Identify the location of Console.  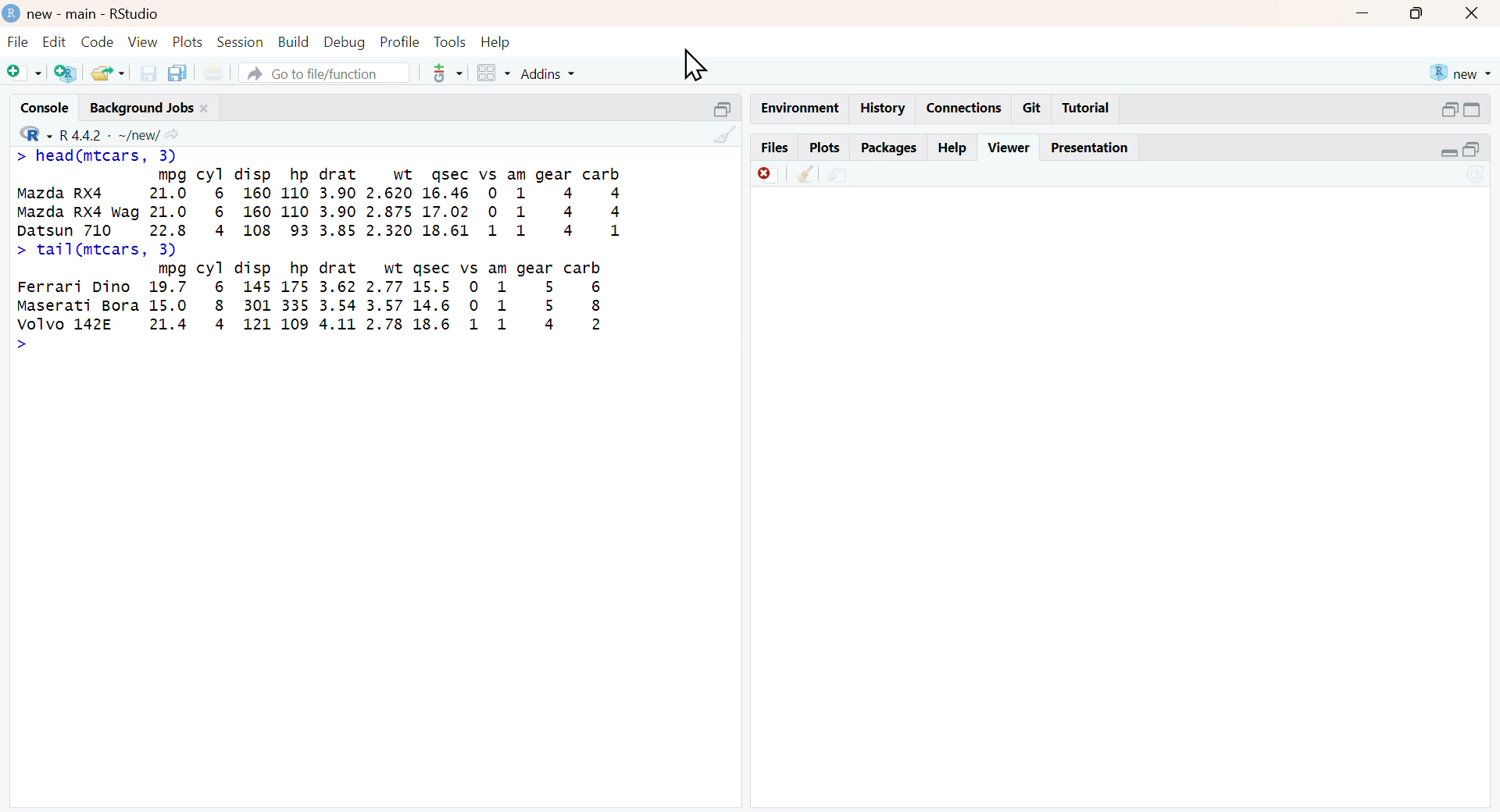
(39, 104).